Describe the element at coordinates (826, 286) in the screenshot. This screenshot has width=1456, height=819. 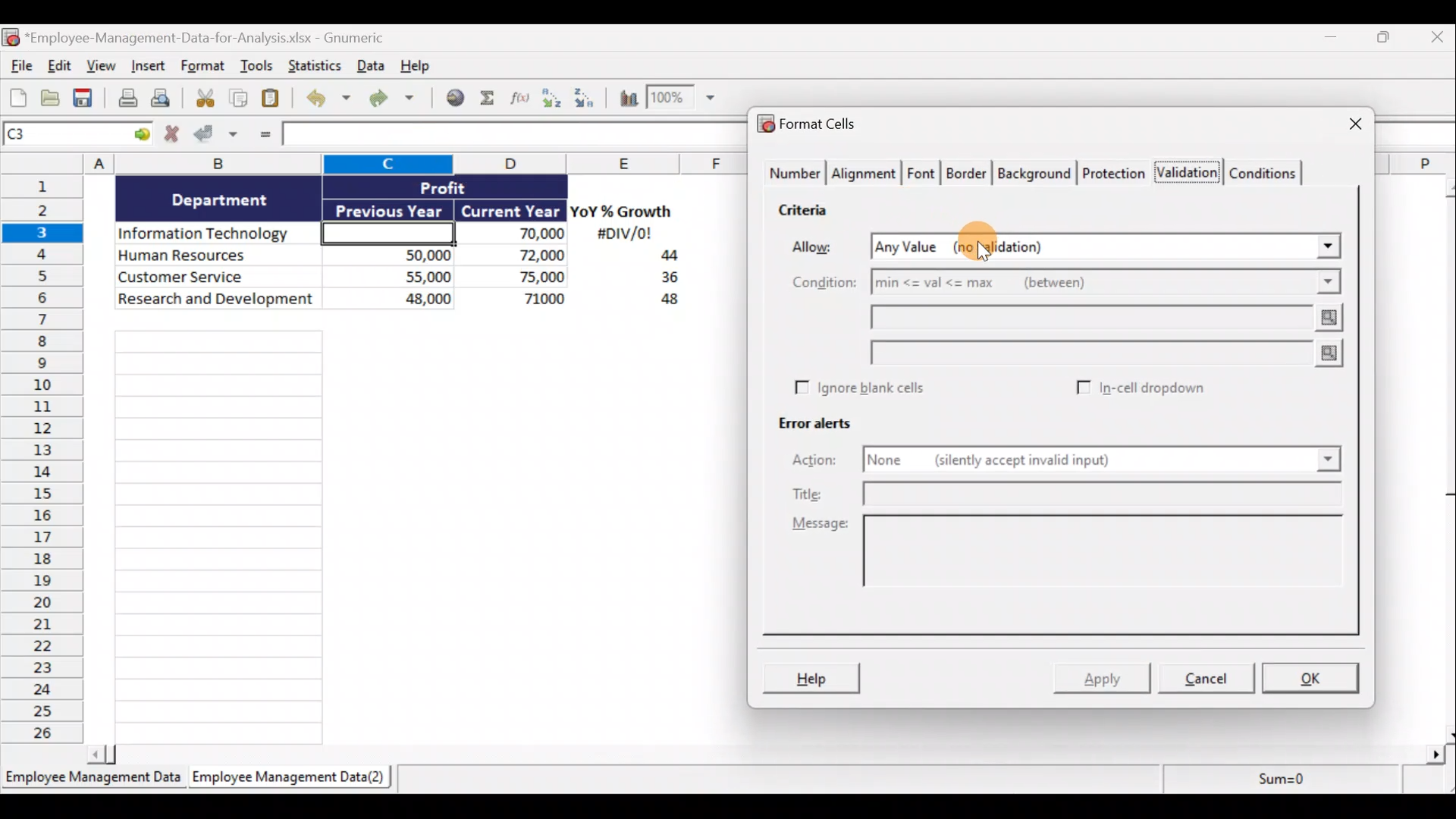
I see `Condition` at that location.